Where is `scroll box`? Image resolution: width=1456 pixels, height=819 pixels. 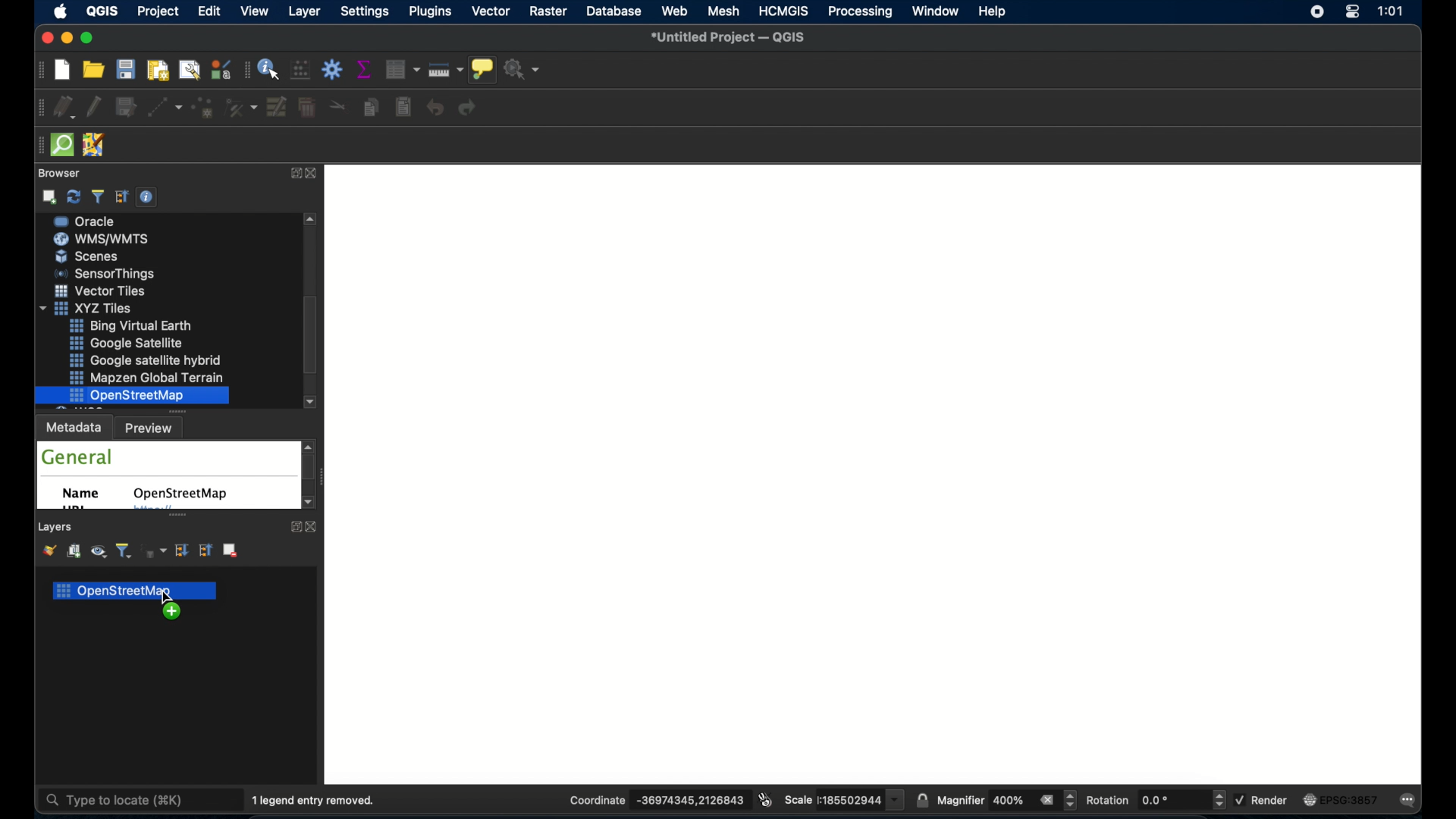 scroll box is located at coordinates (309, 335).